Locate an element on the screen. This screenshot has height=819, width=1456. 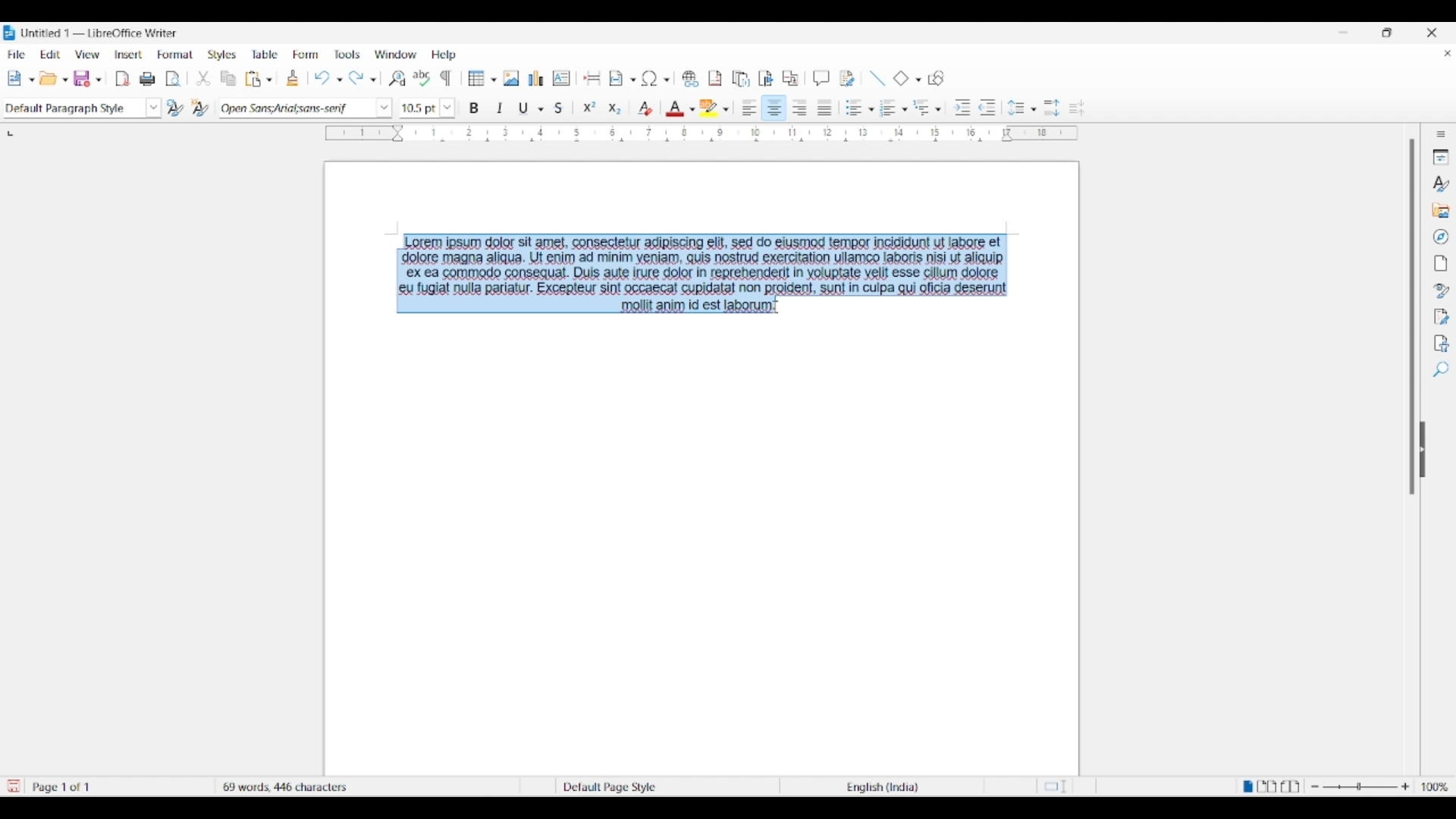
Increase/Decrease font size is located at coordinates (447, 108).